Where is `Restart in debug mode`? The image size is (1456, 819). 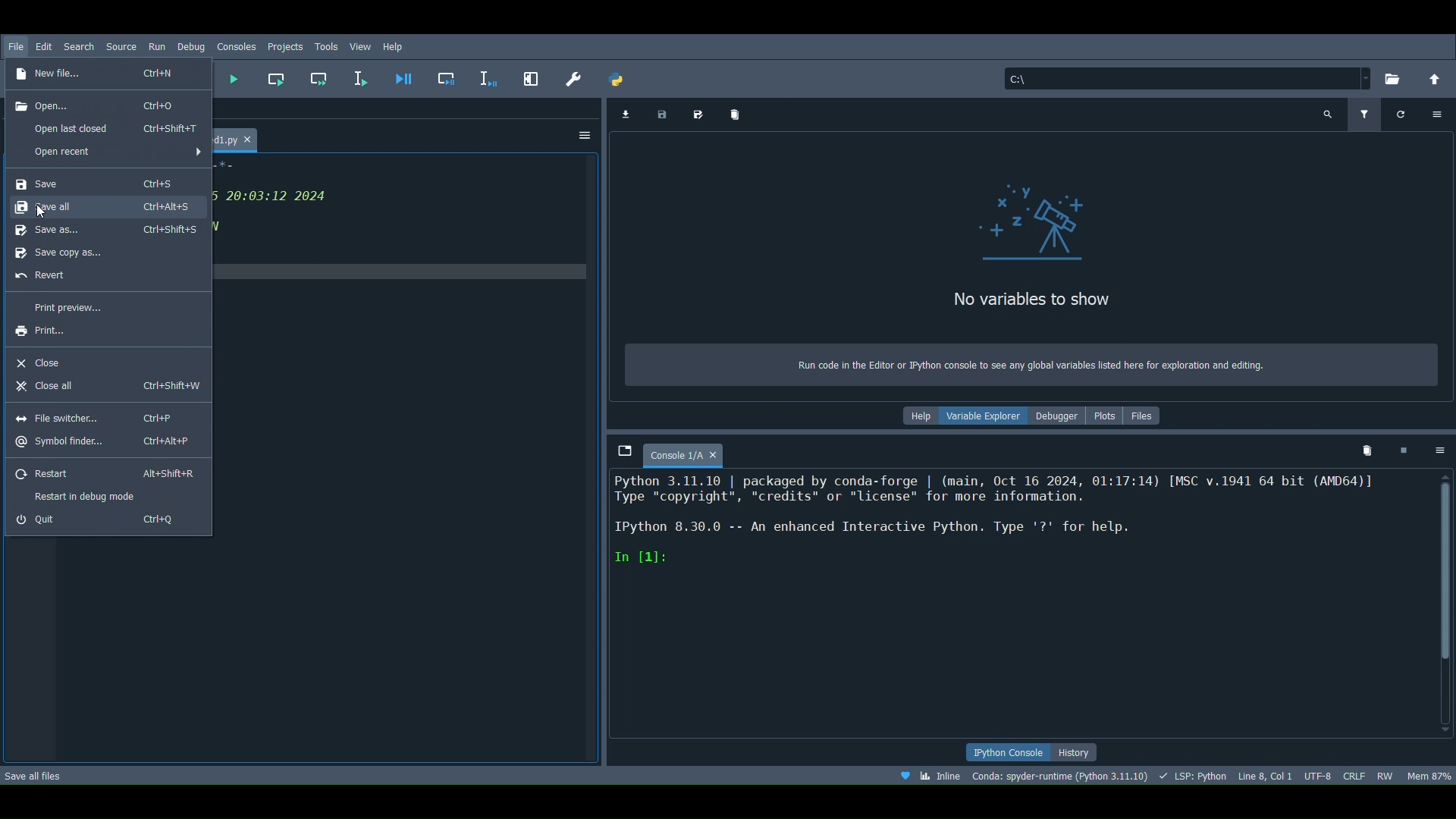
Restart in debug mode is located at coordinates (108, 495).